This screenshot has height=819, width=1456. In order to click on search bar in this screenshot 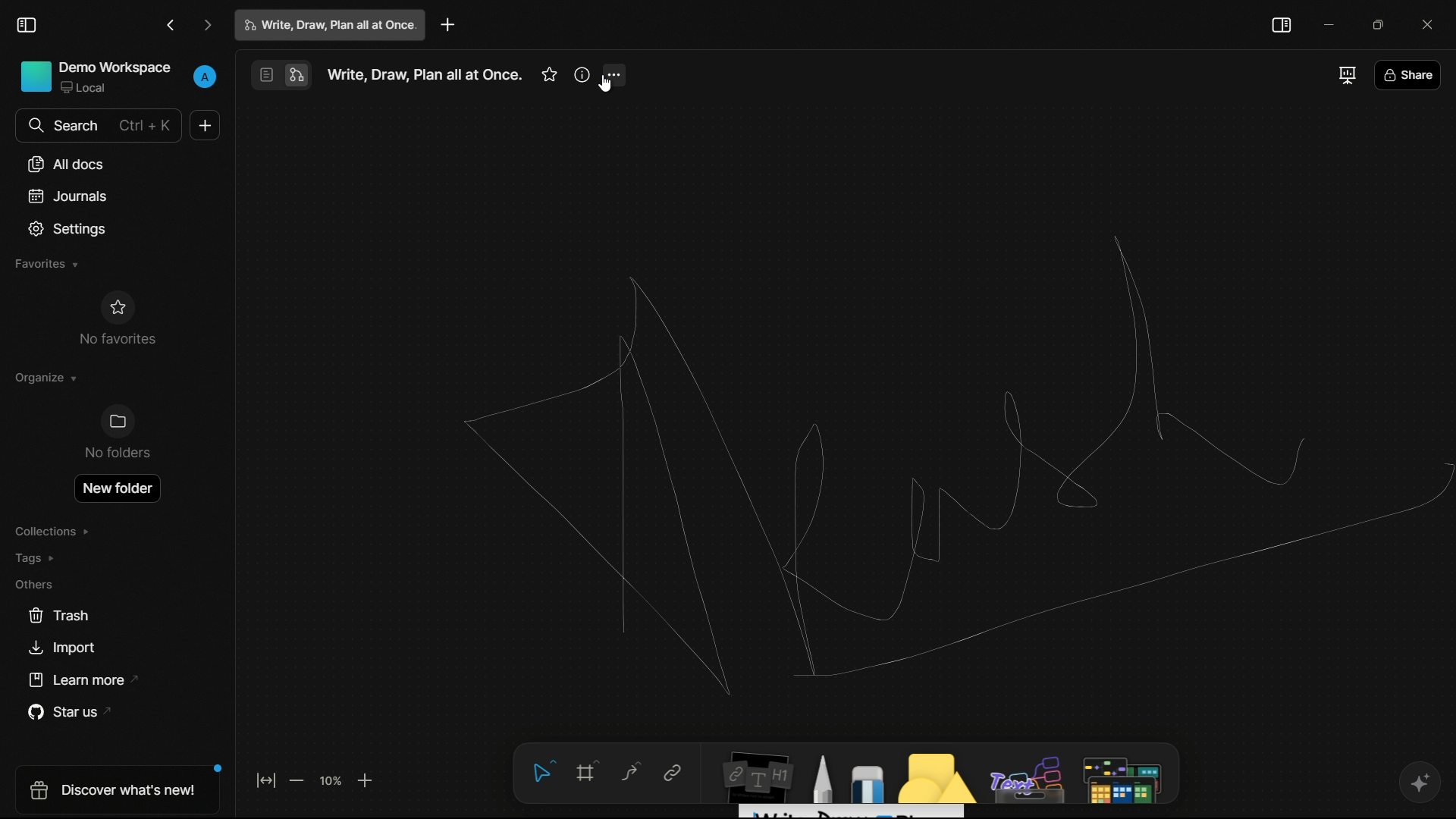, I will do `click(102, 127)`.